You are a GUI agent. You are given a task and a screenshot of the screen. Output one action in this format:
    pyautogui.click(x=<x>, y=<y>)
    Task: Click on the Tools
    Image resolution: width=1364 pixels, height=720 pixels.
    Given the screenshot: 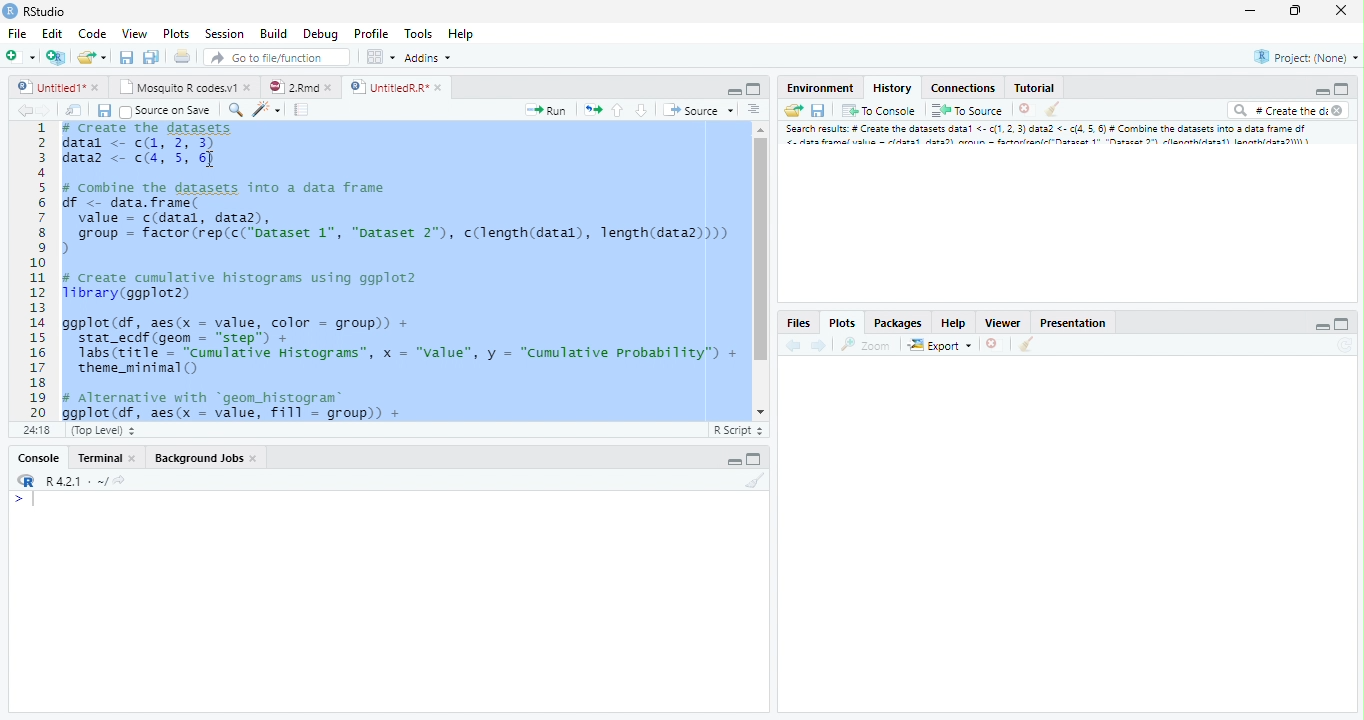 What is the action you would take?
    pyautogui.click(x=420, y=35)
    